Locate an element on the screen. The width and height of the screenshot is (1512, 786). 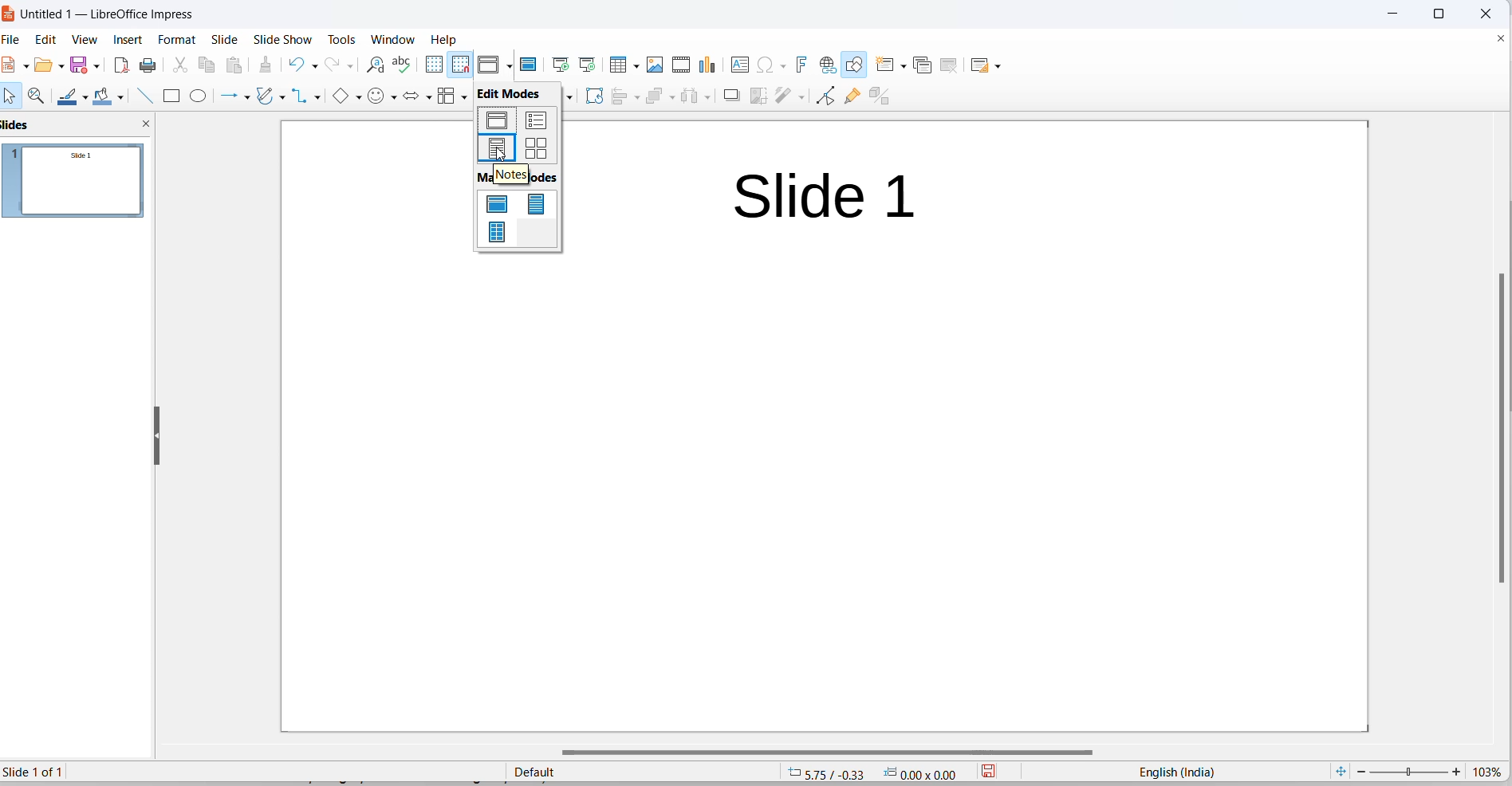
resize is located at coordinates (157, 434).